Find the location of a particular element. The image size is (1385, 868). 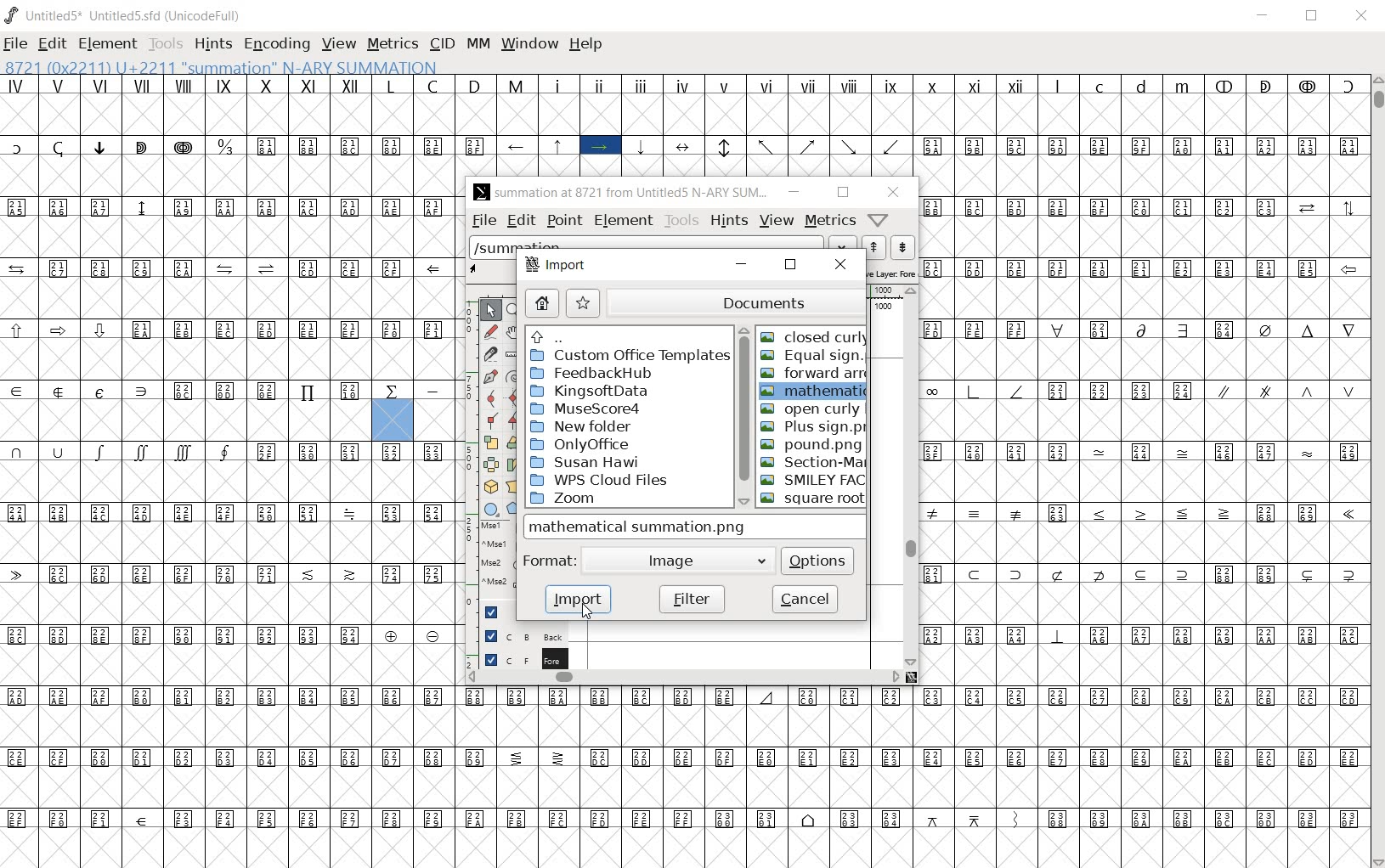

Add a corner point is located at coordinates (490, 420).